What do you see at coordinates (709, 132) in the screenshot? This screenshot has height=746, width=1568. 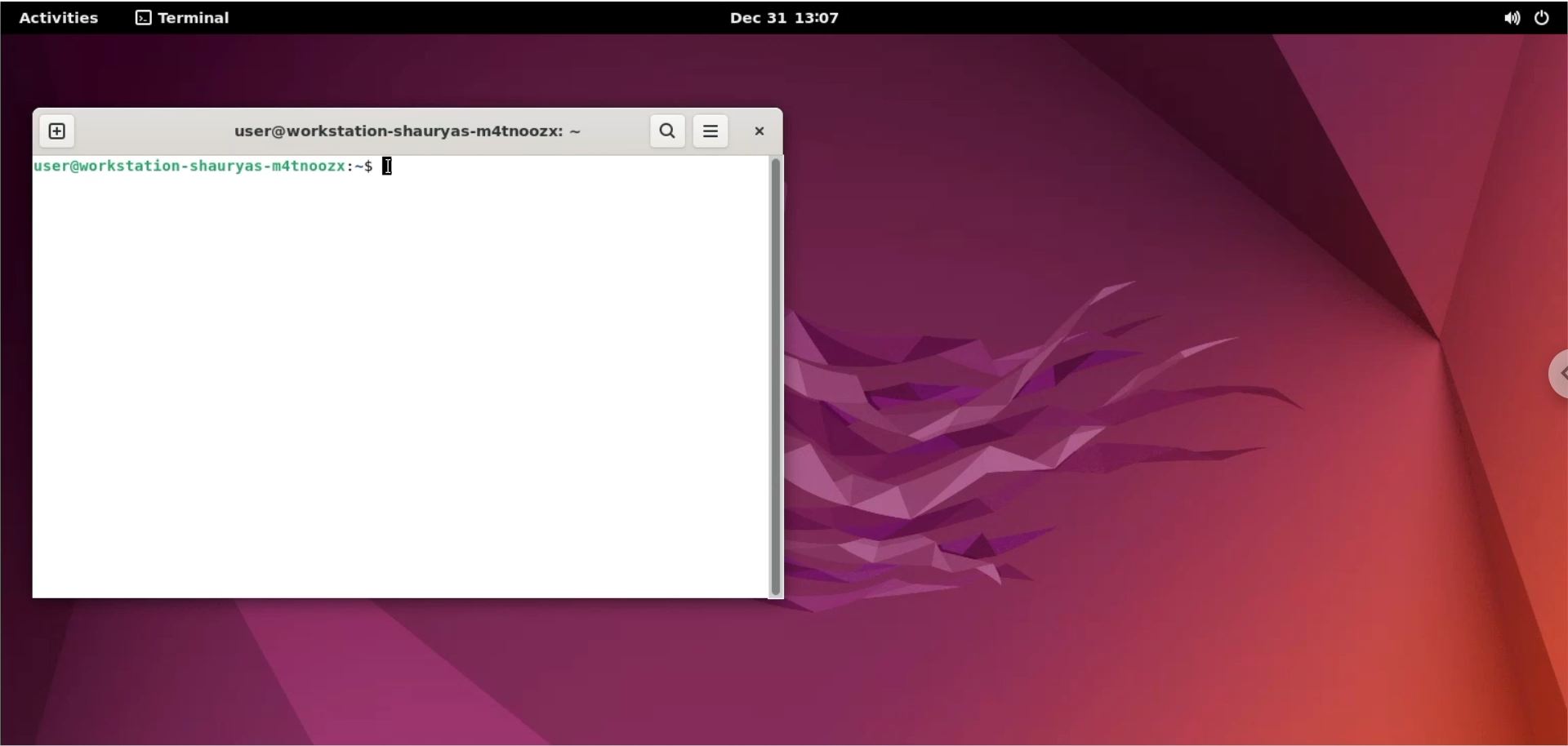 I see `more options` at bounding box center [709, 132].